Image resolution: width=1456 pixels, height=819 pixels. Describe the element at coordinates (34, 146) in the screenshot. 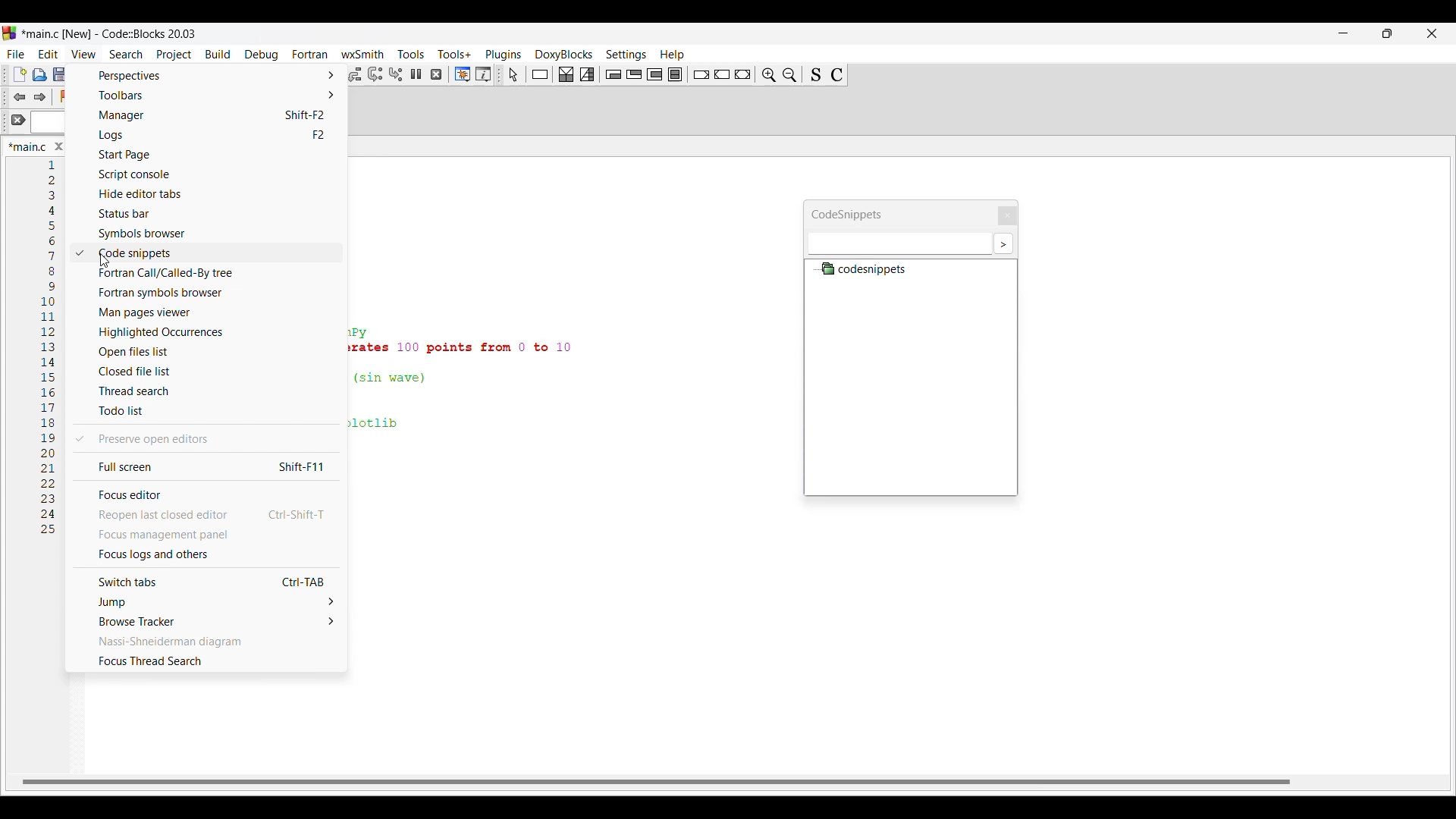

I see `Panel title` at that location.